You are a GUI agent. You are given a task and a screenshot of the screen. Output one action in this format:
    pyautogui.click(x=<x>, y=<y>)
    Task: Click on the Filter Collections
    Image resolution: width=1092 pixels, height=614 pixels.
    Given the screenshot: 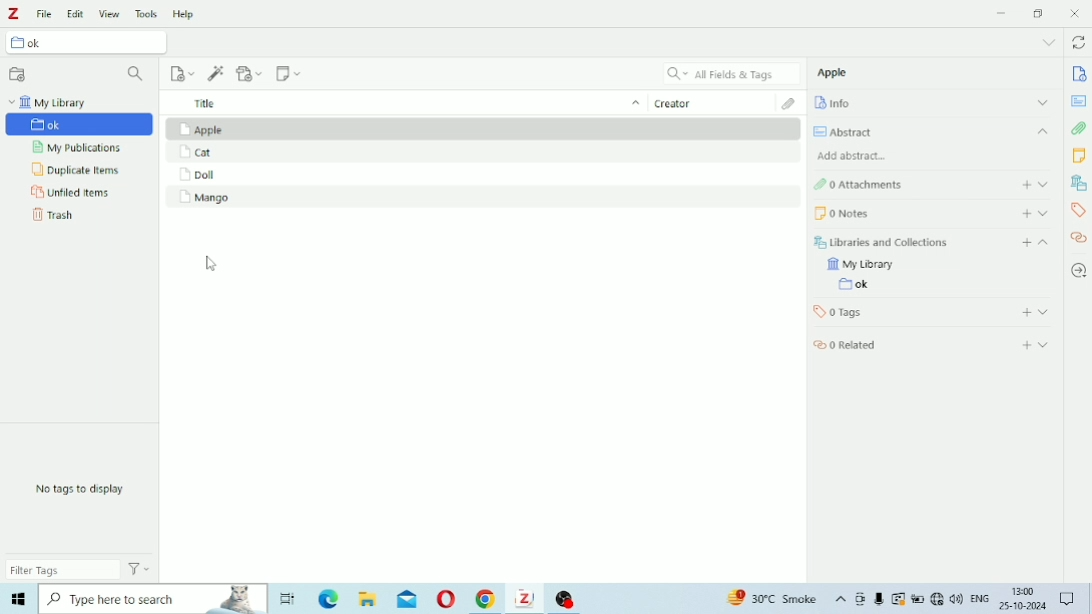 What is the action you would take?
    pyautogui.click(x=137, y=73)
    